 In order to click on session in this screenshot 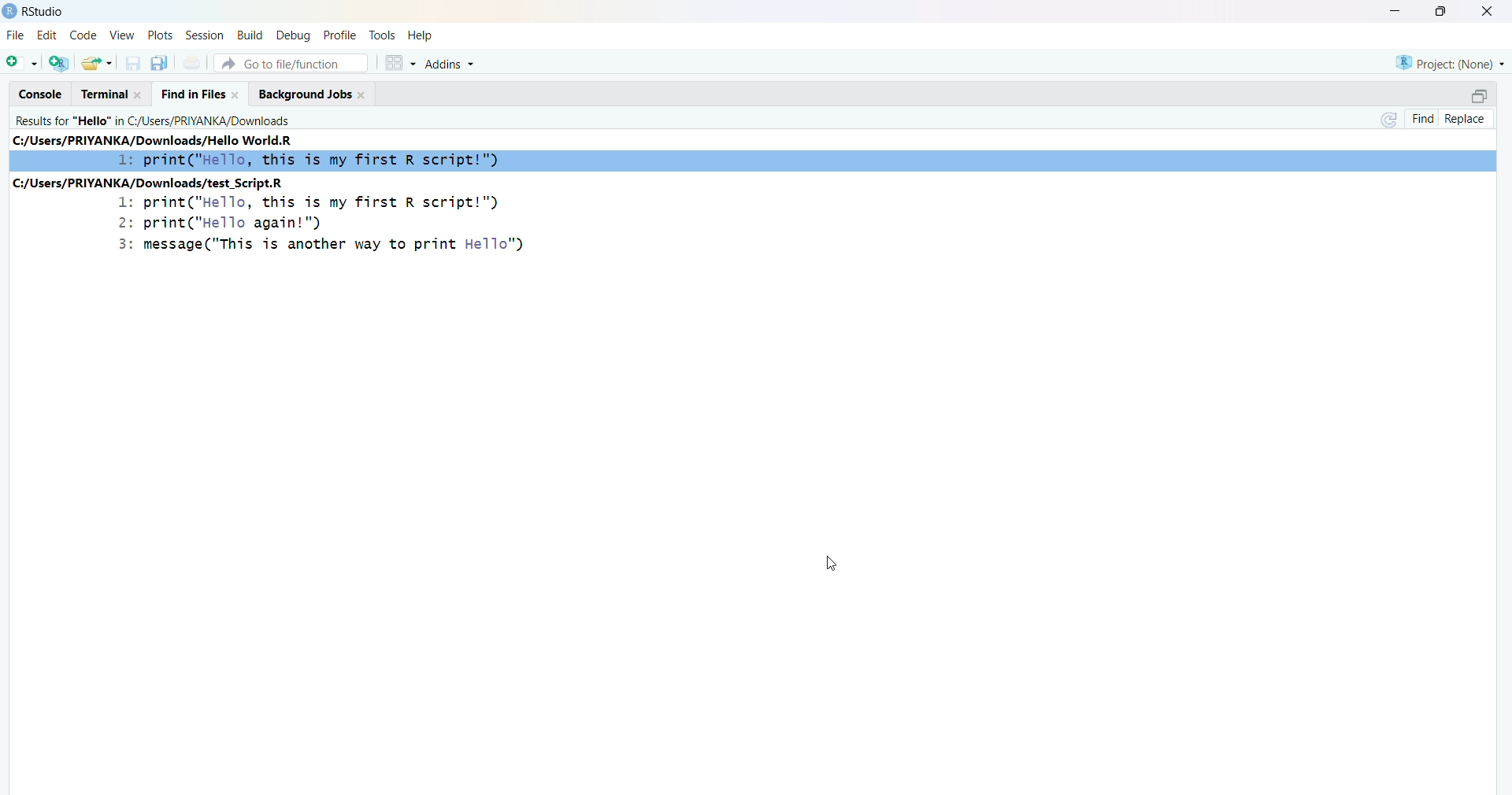, I will do `click(206, 35)`.